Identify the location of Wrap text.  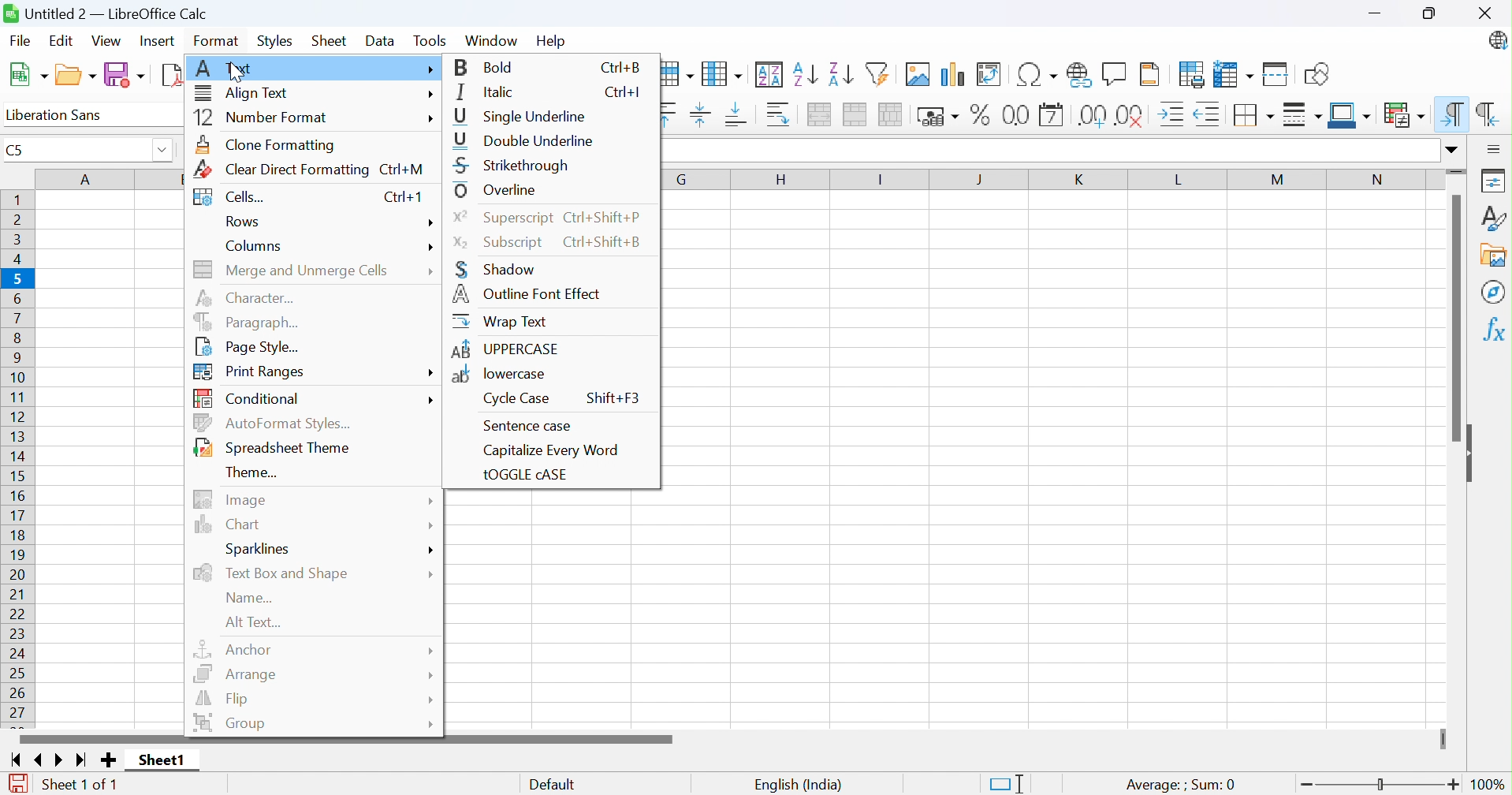
(503, 323).